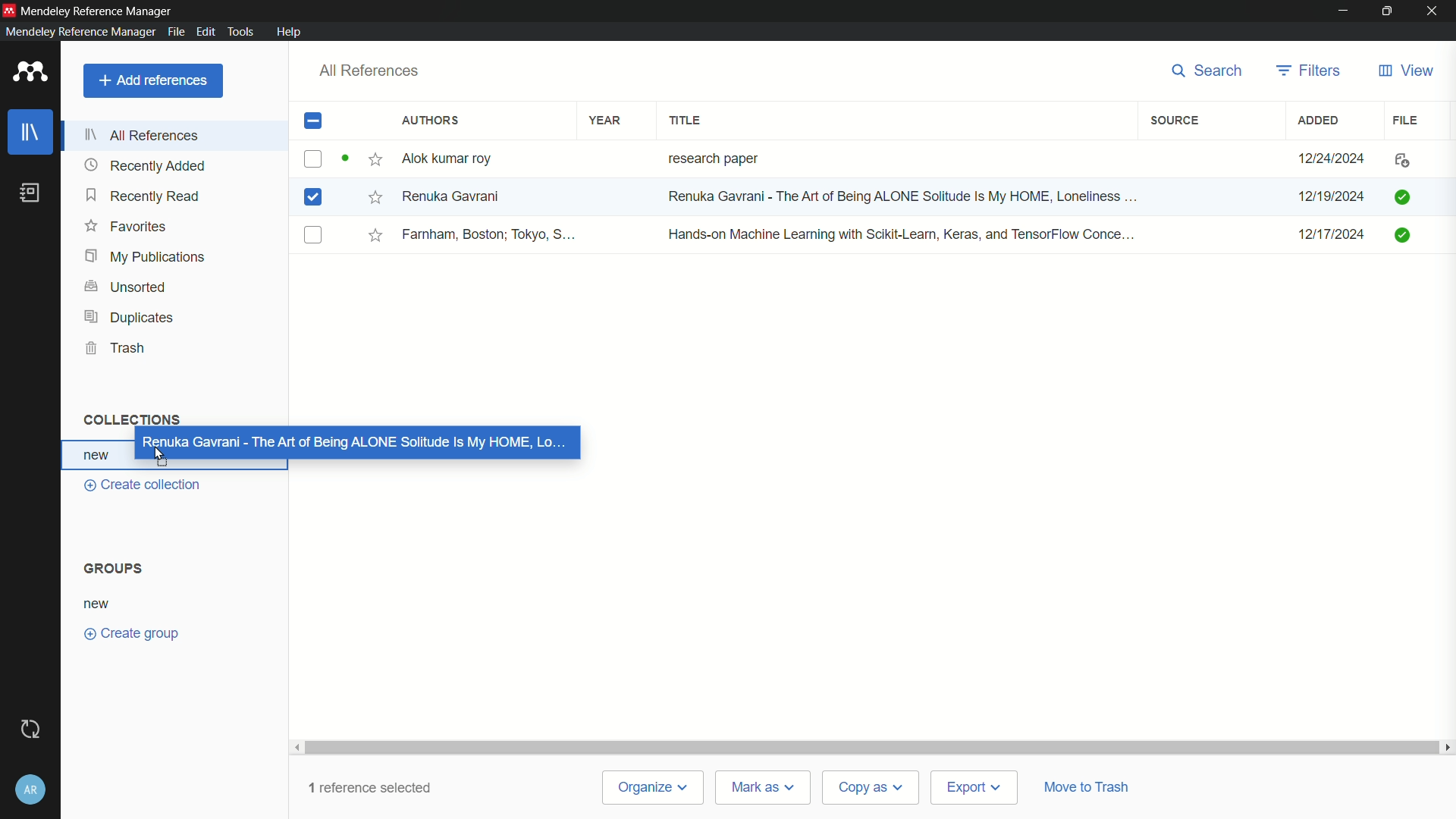  I want to click on tools menu, so click(240, 32).